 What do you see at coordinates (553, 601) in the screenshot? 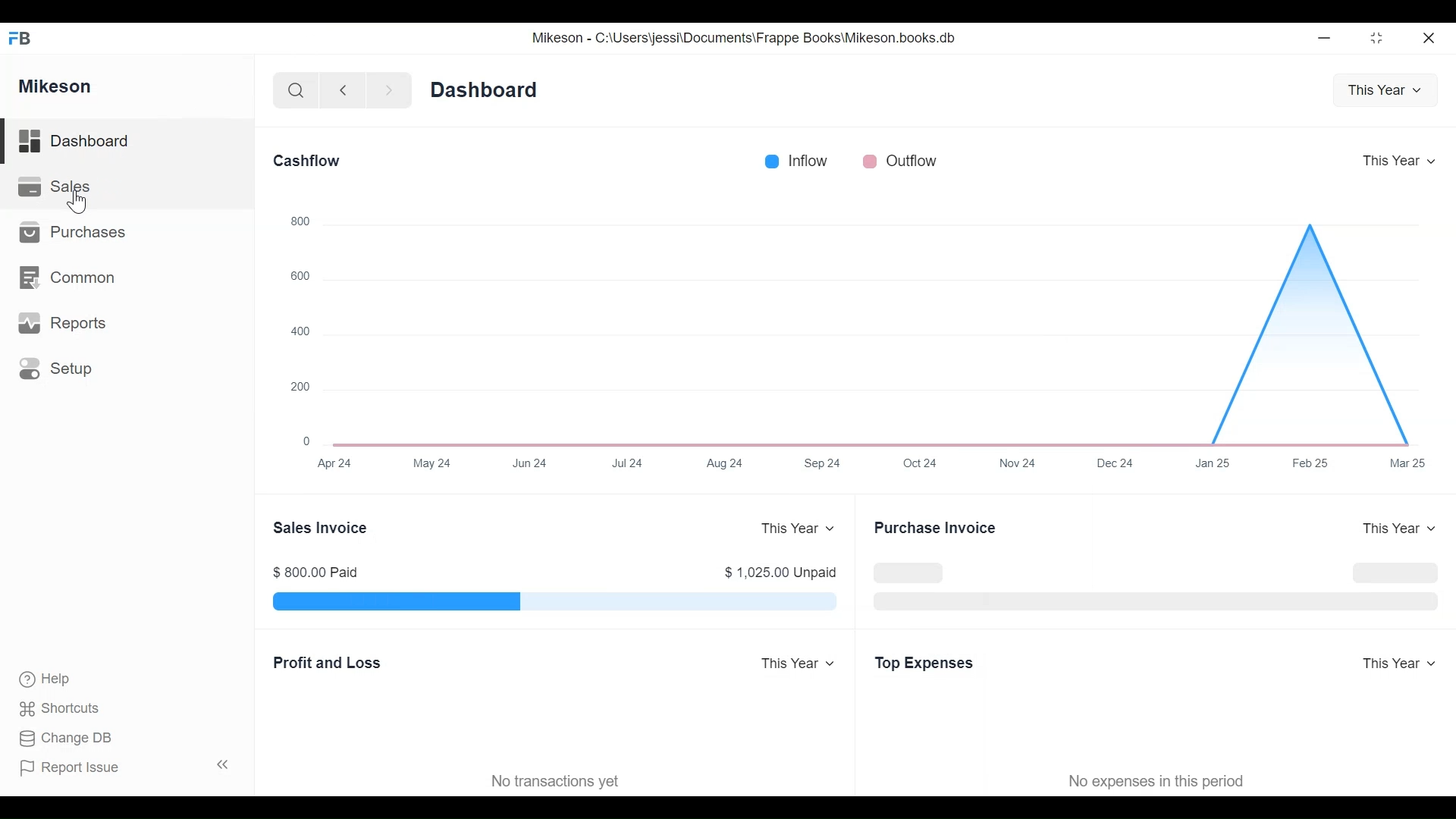
I see `Graph` at bounding box center [553, 601].